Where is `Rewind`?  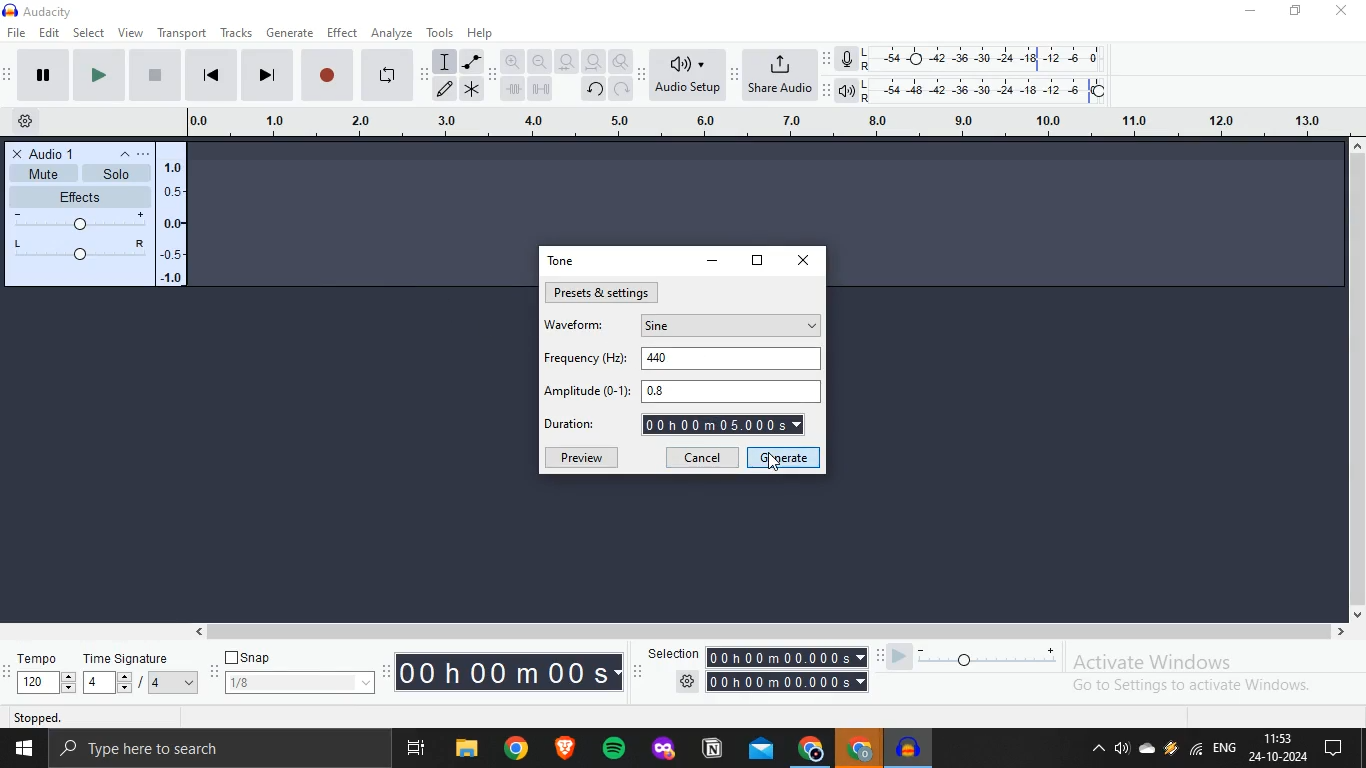
Rewind is located at coordinates (389, 72).